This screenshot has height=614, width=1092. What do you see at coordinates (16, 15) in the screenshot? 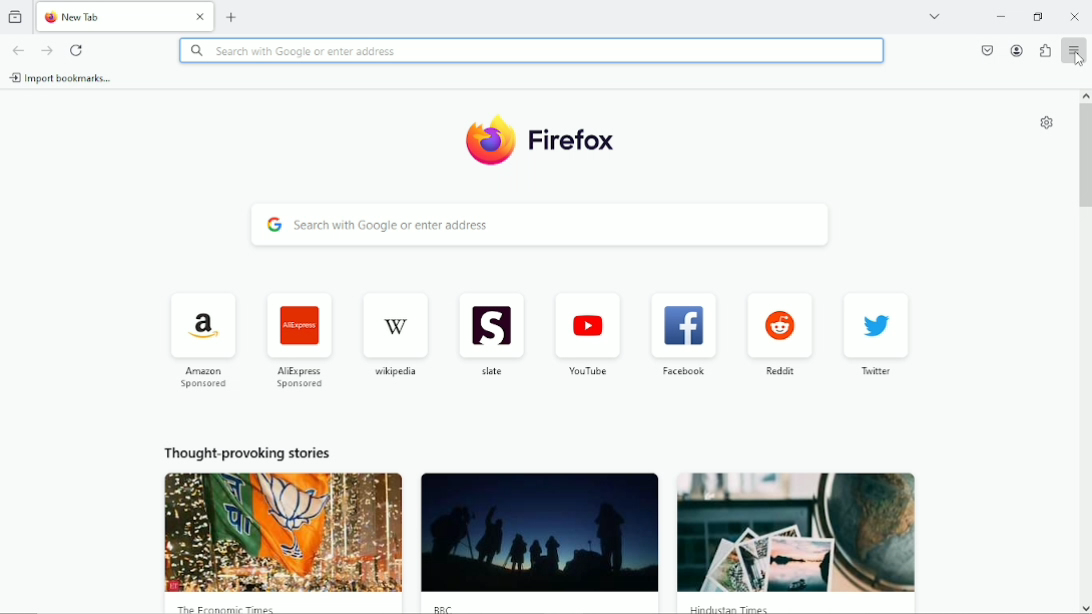
I see `view recent browsing` at bounding box center [16, 15].